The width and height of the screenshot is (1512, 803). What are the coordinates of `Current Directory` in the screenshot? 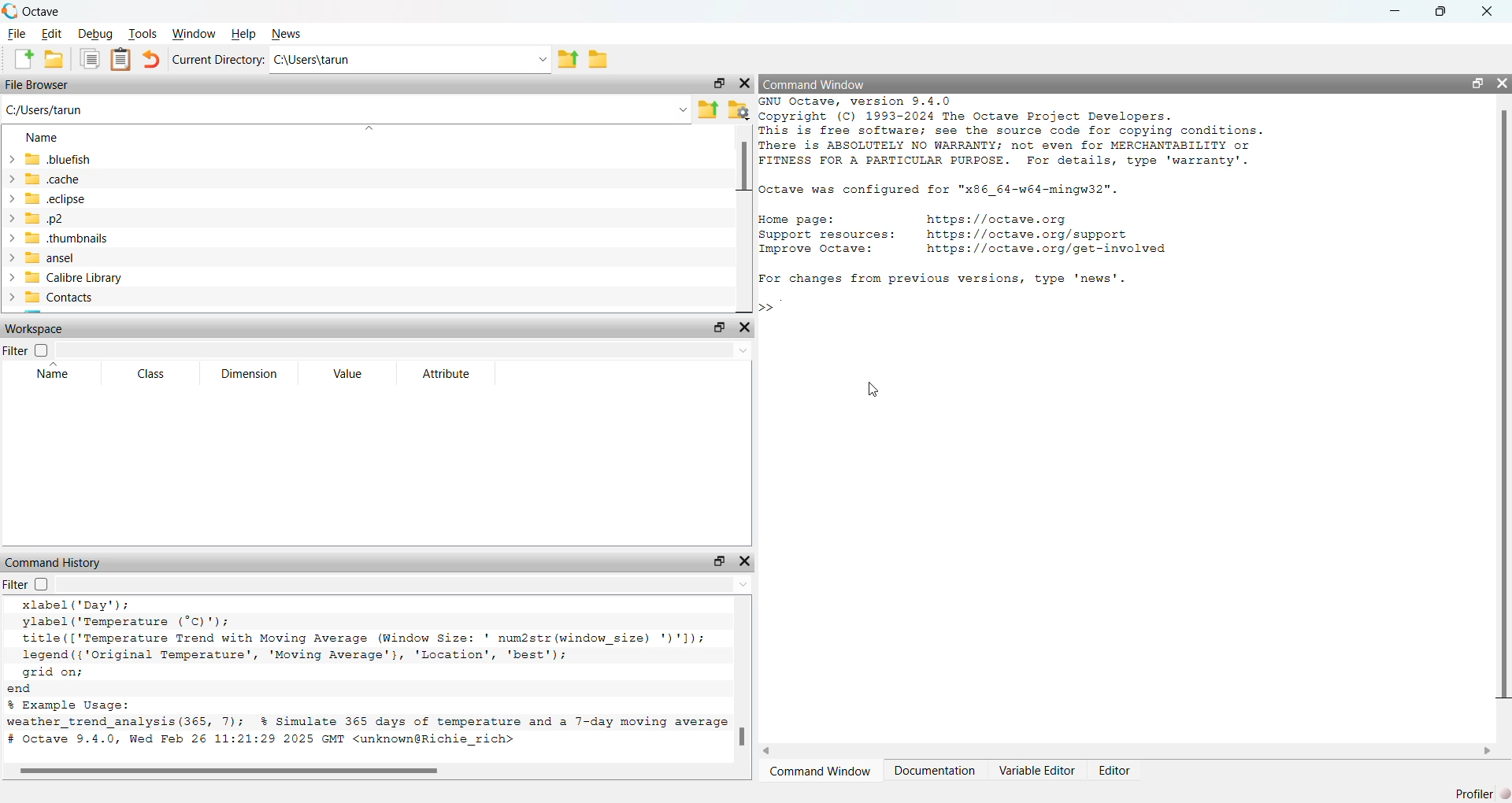 It's located at (213, 62).